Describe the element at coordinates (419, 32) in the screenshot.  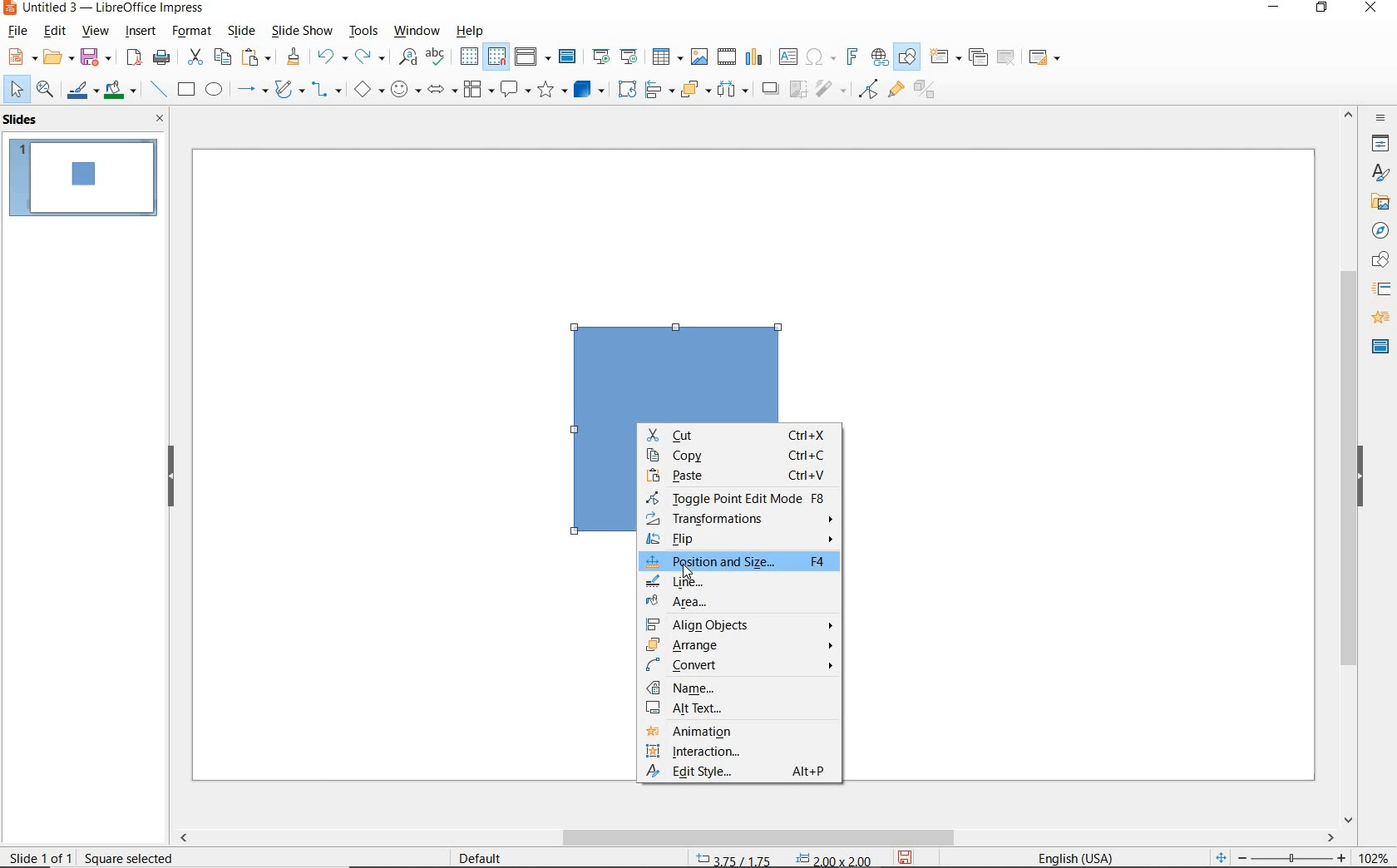
I see `window` at that location.